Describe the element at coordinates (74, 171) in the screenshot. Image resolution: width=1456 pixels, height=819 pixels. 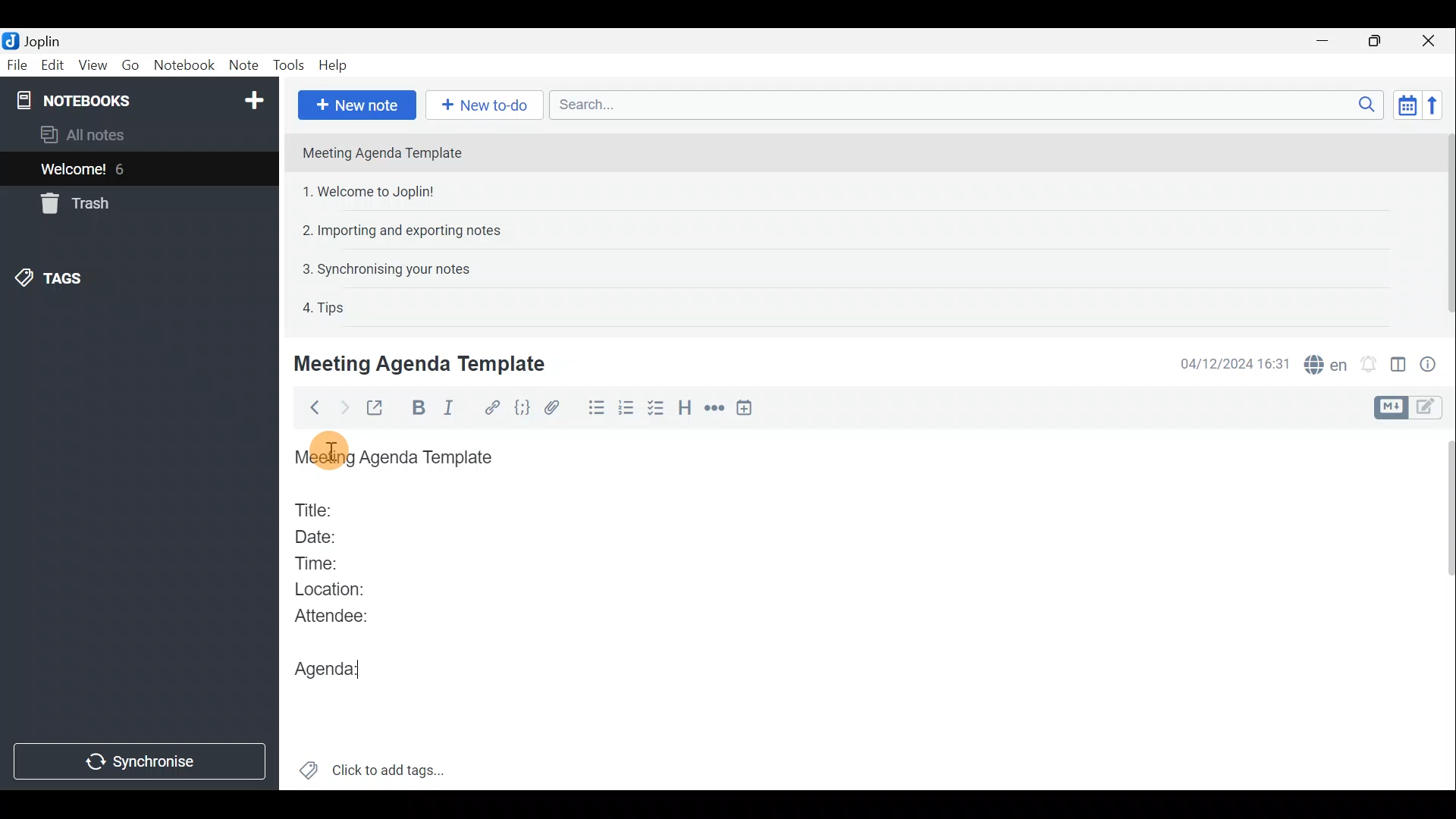
I see `Welcome!` at that location.